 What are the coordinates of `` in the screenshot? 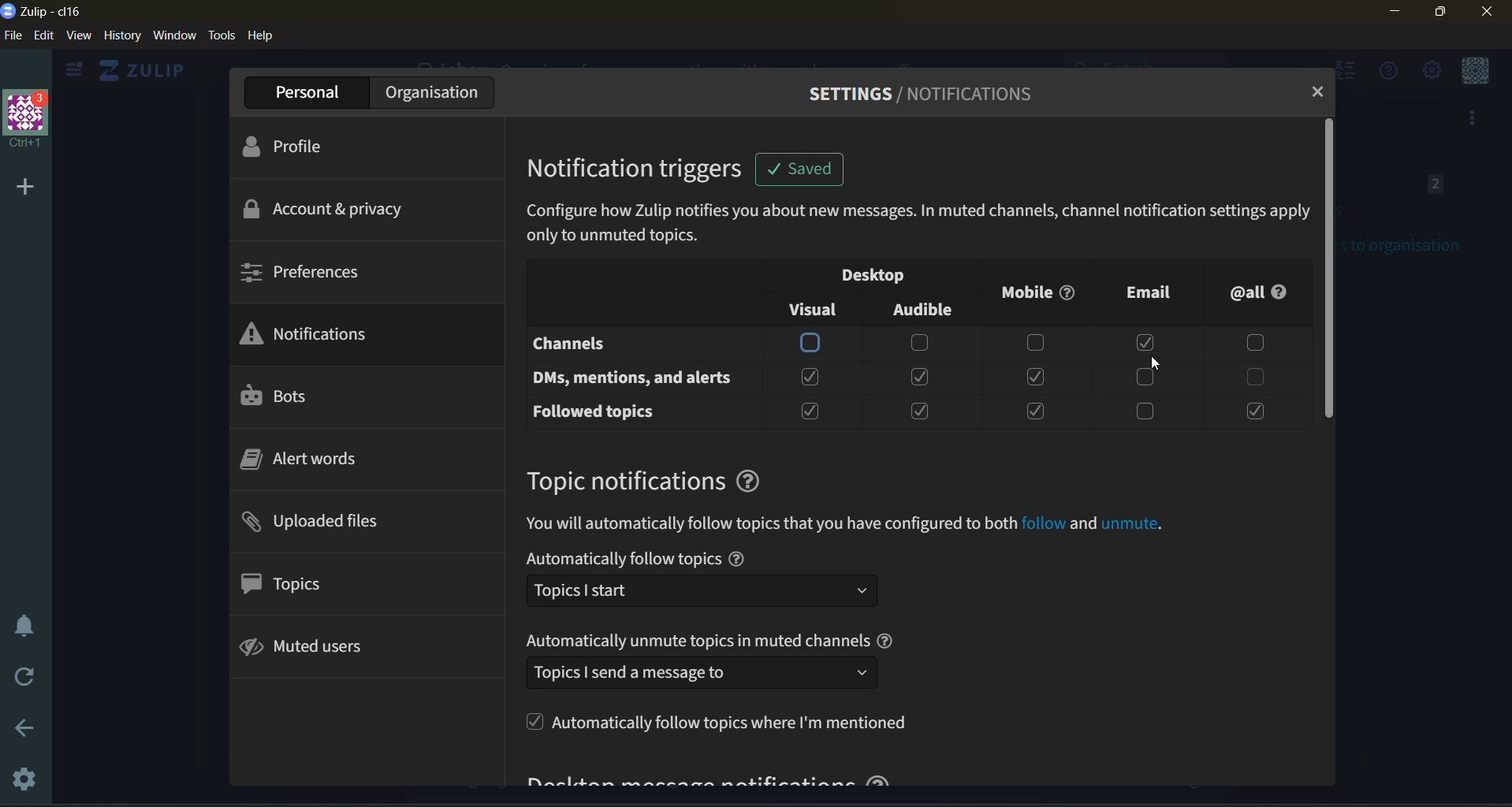 It's located at (1043, 524).